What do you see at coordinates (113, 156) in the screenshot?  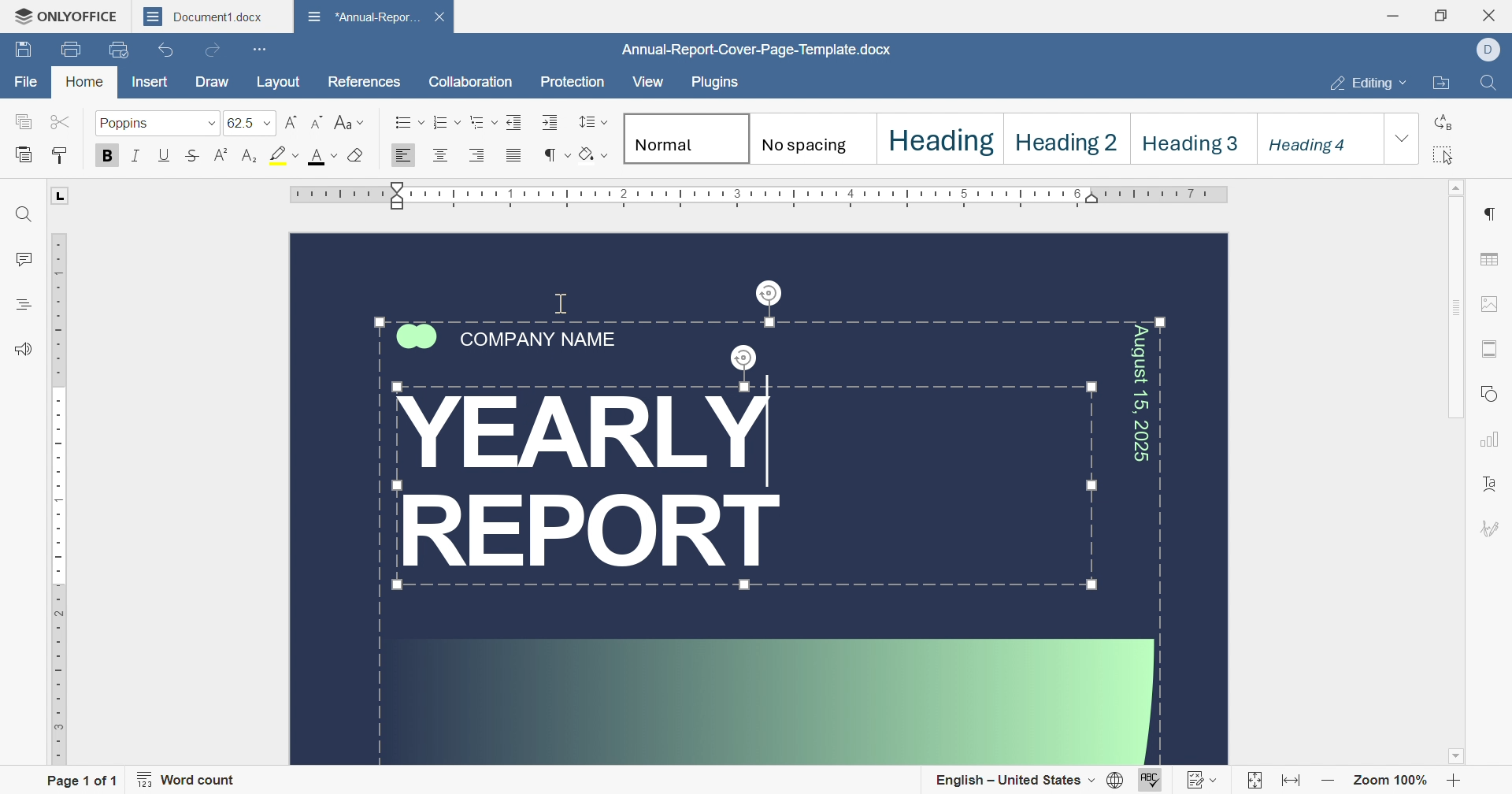 I see `bold` at bounding box center [113, 156].